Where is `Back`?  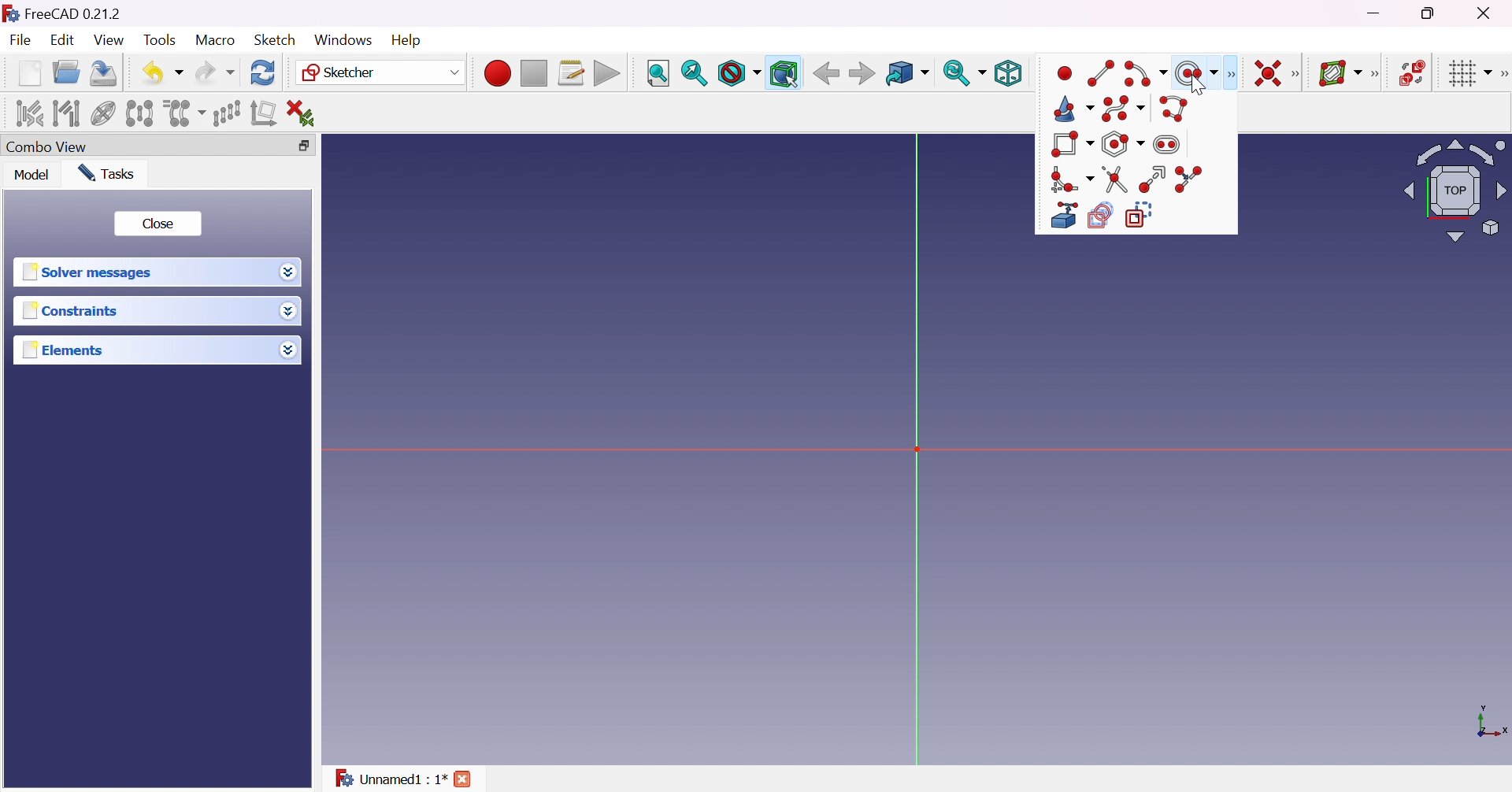
Back is located at coordinates (826, 72).